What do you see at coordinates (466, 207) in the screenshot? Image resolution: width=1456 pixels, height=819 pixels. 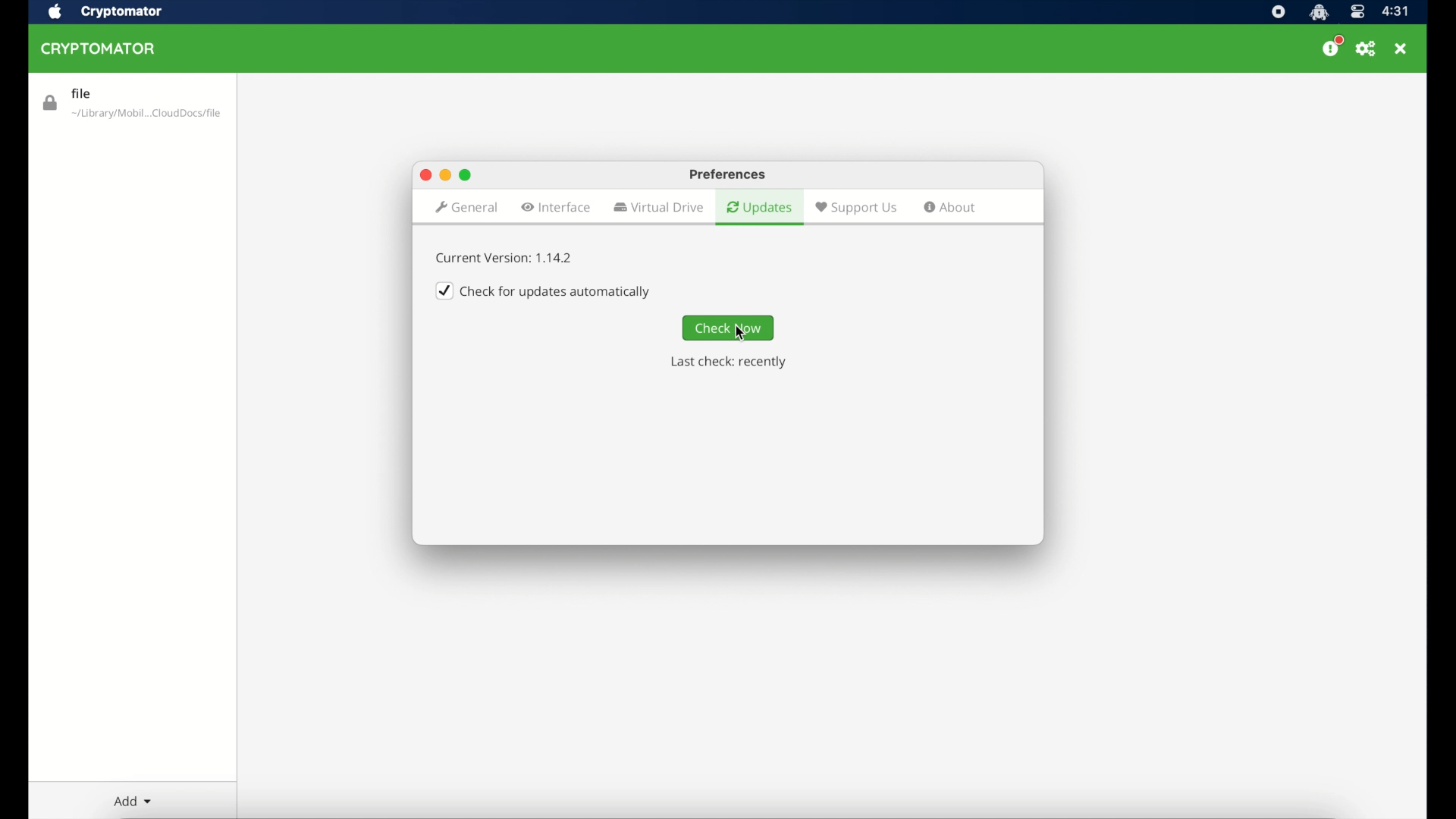 I see `general` at bounding box center [466, 207].